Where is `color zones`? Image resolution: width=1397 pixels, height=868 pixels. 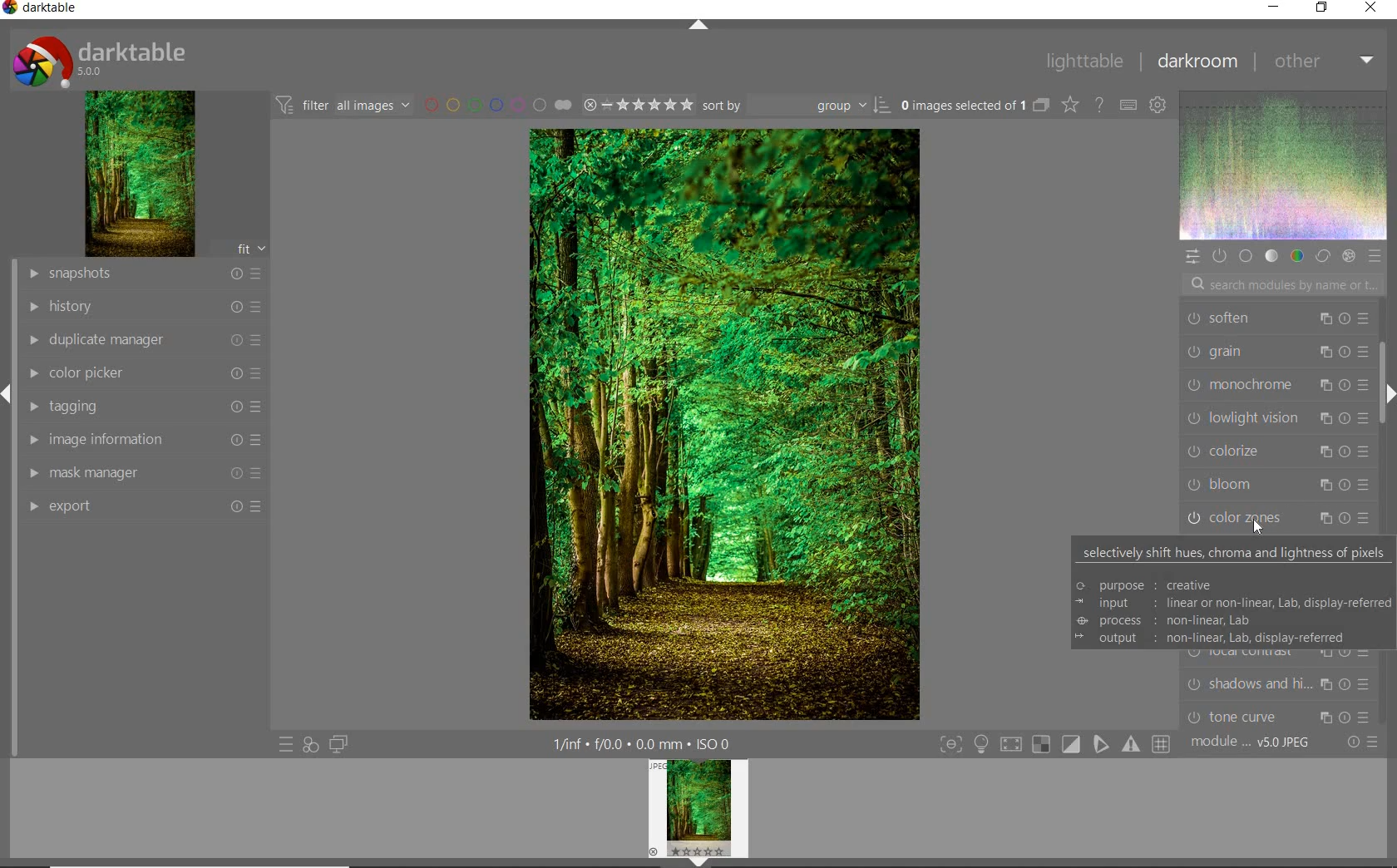
color zones is located at coordinates (1275, 518).